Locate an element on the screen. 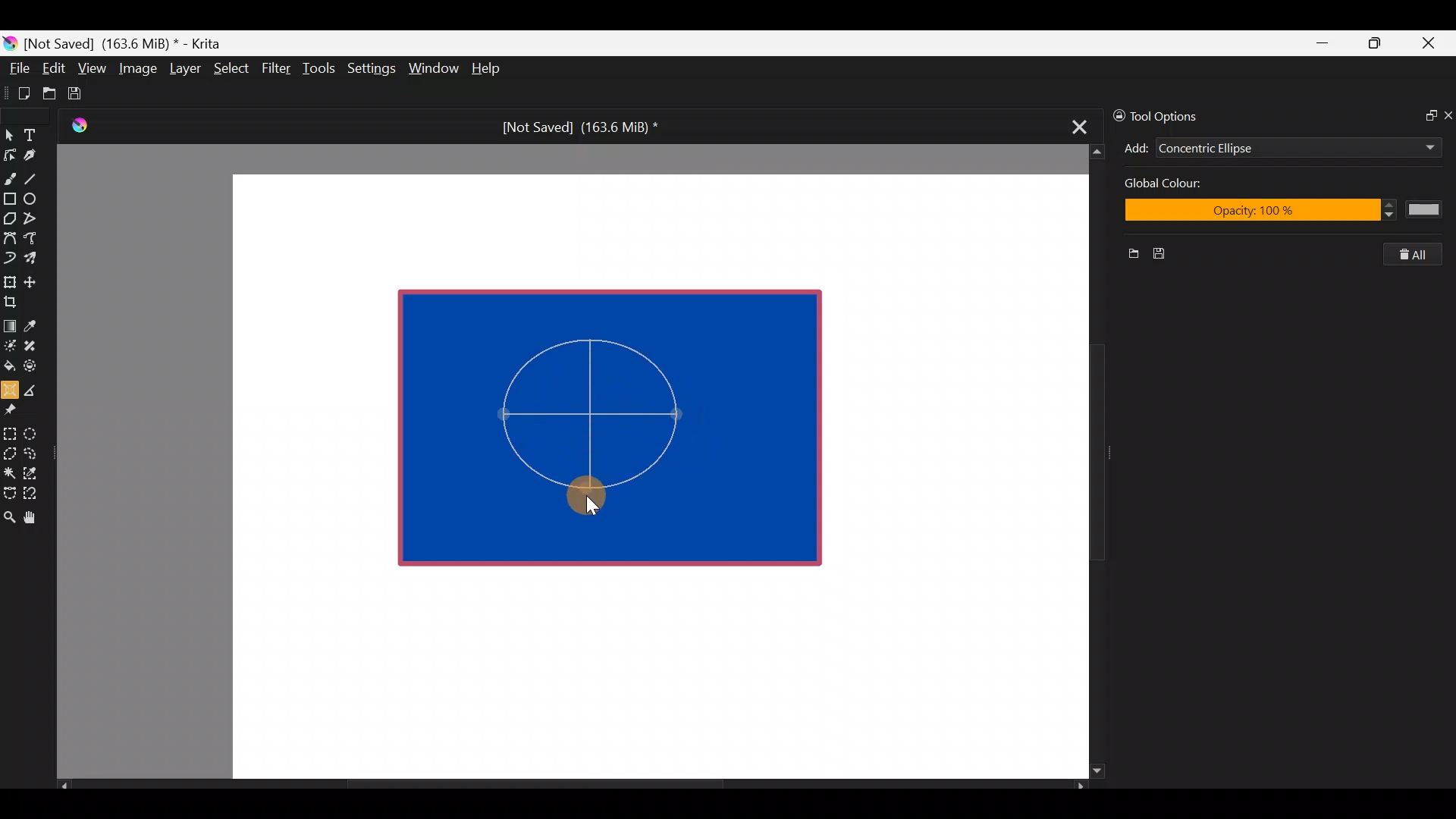 This screenshot has height=819, width=1456. Dynamic brush tool is located at coordinates (11, 258).